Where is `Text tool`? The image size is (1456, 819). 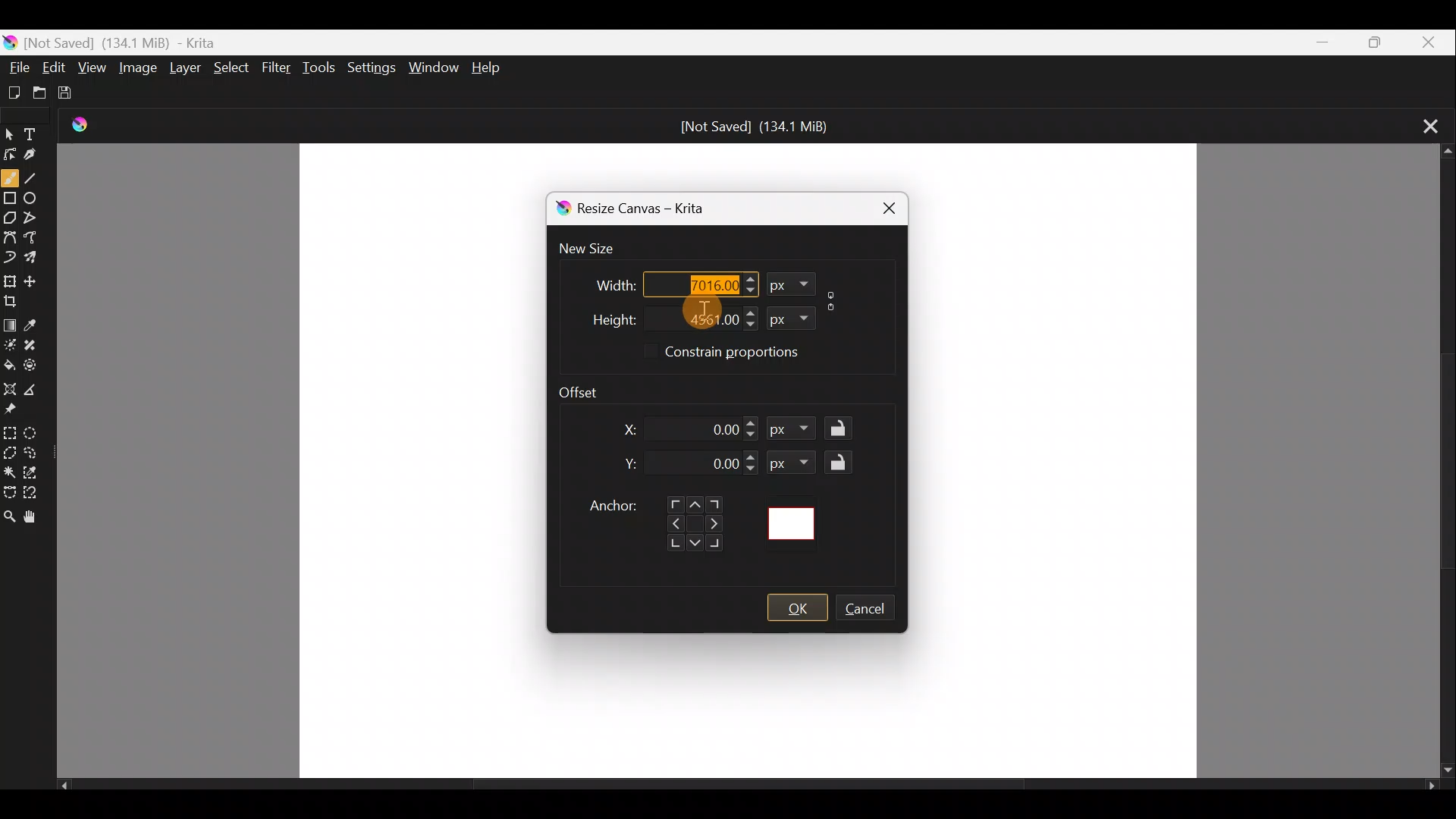
Text tool is located at coordinates (39, 129).